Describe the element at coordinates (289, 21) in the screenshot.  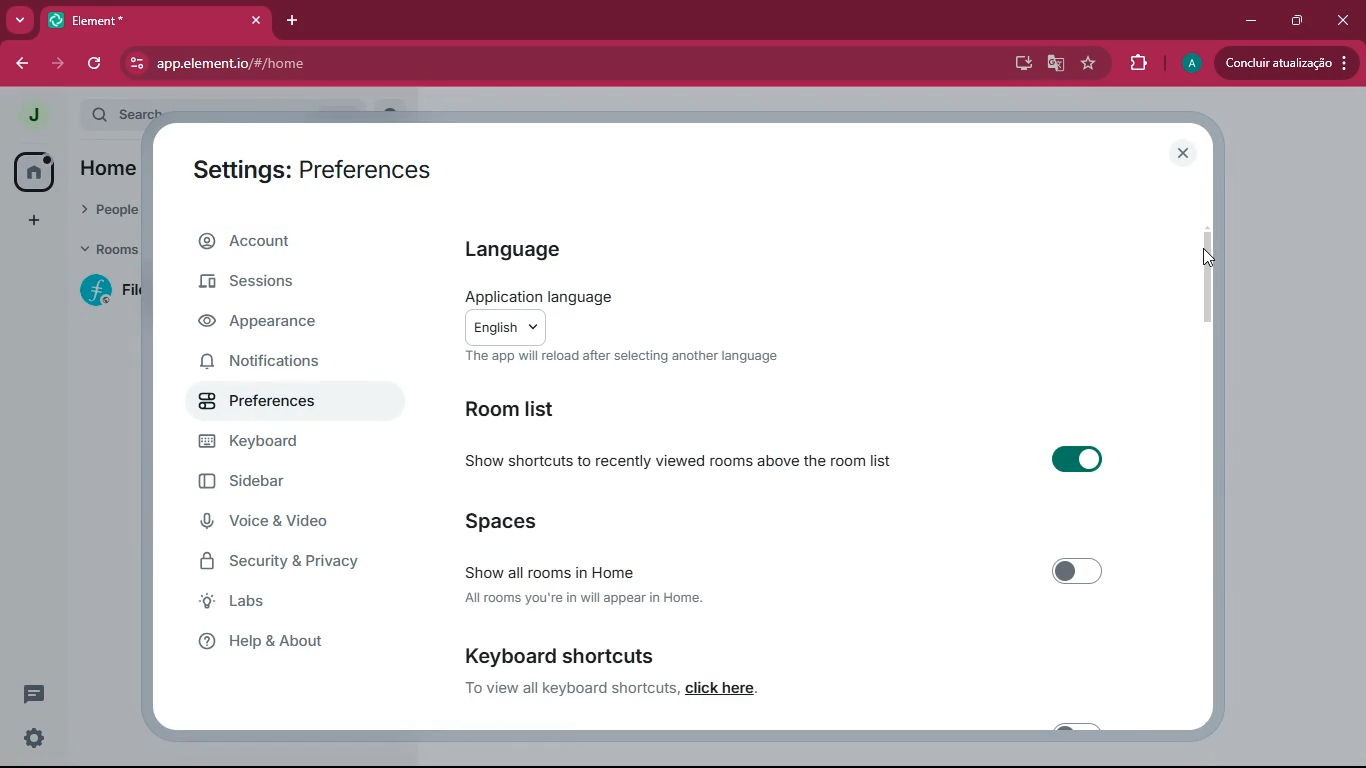
I see `add tab` at that location.